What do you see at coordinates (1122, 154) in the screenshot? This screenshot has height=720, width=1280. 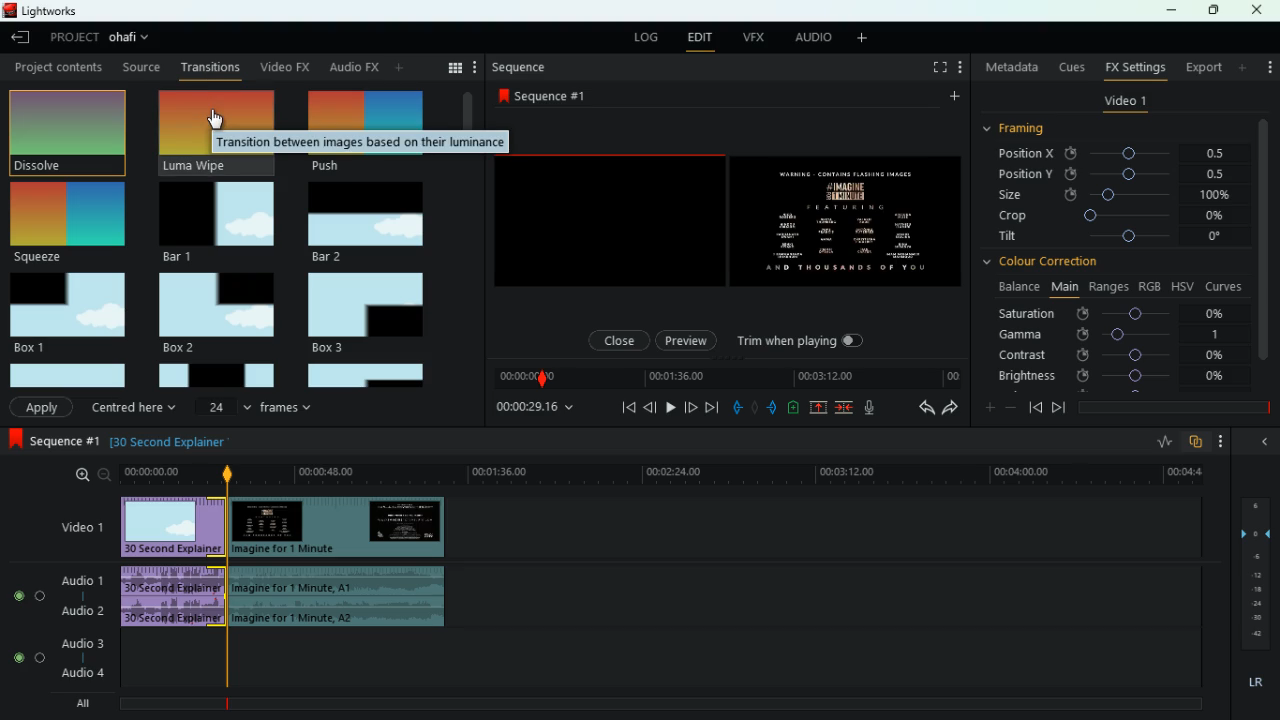 I see `position x` at bounding box center [1122, 154].